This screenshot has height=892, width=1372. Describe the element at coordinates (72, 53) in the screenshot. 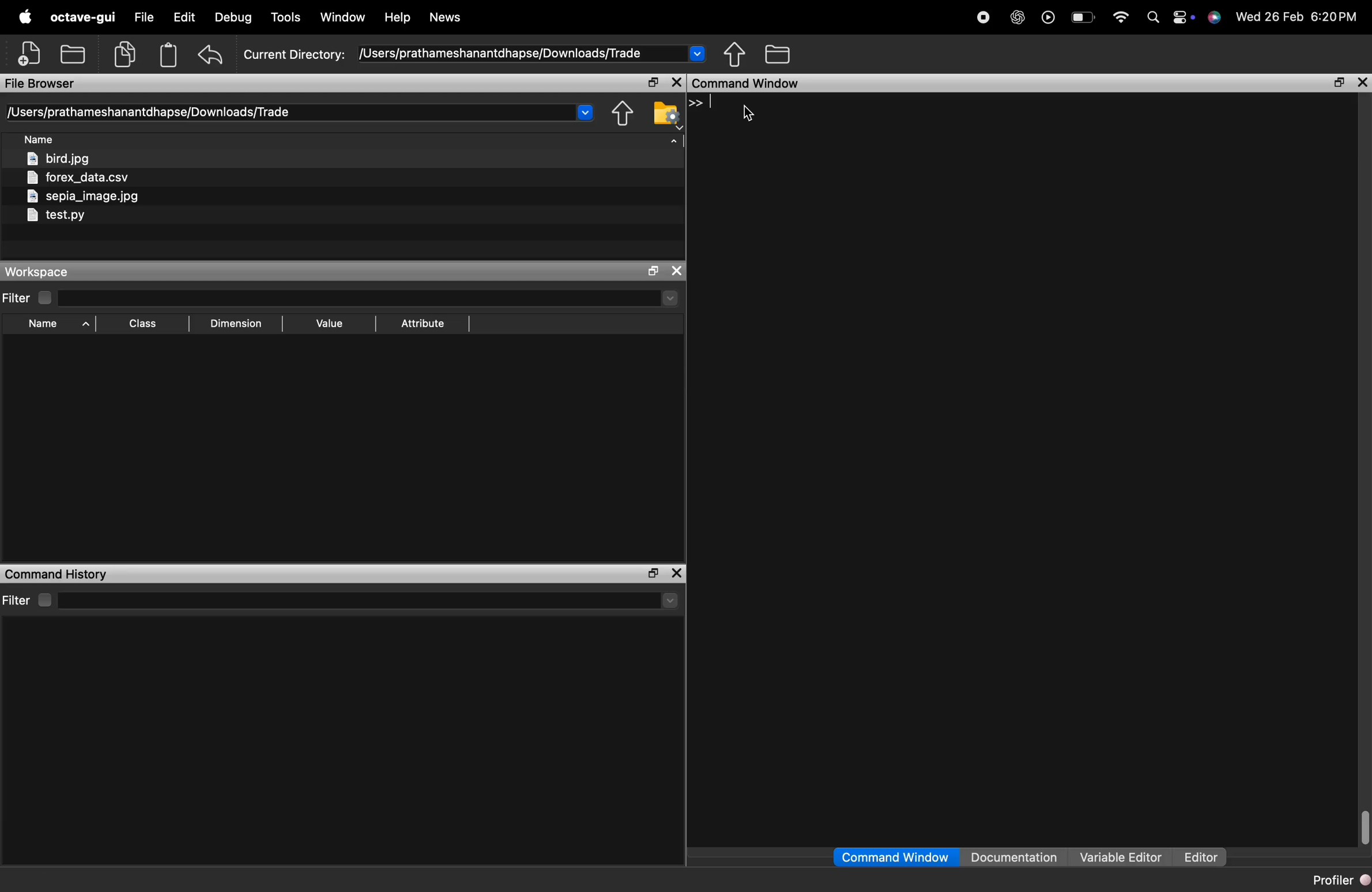

I see `New folder` at that location.